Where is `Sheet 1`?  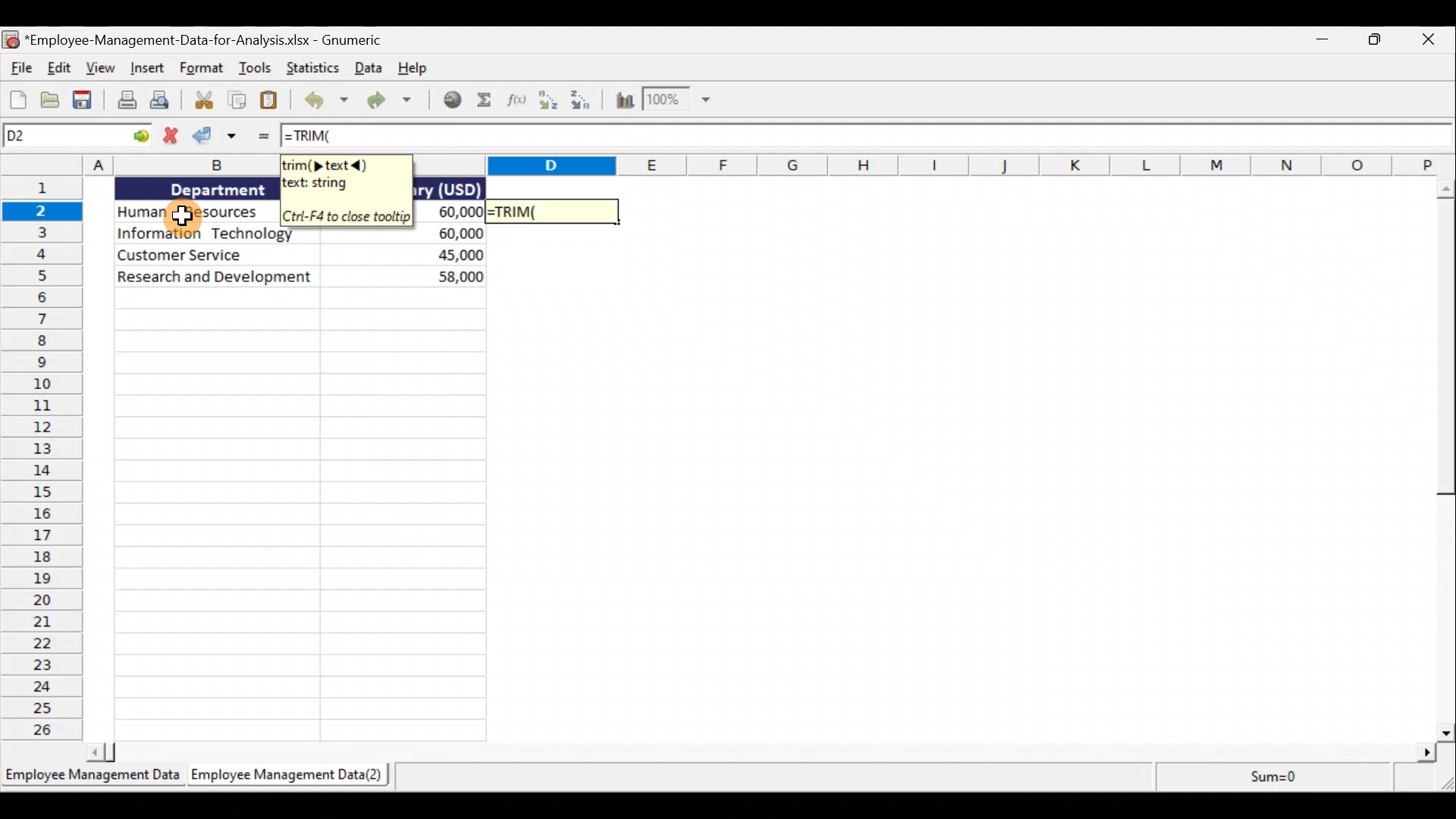
Sheet 1 is located at coordinates (91, 777).